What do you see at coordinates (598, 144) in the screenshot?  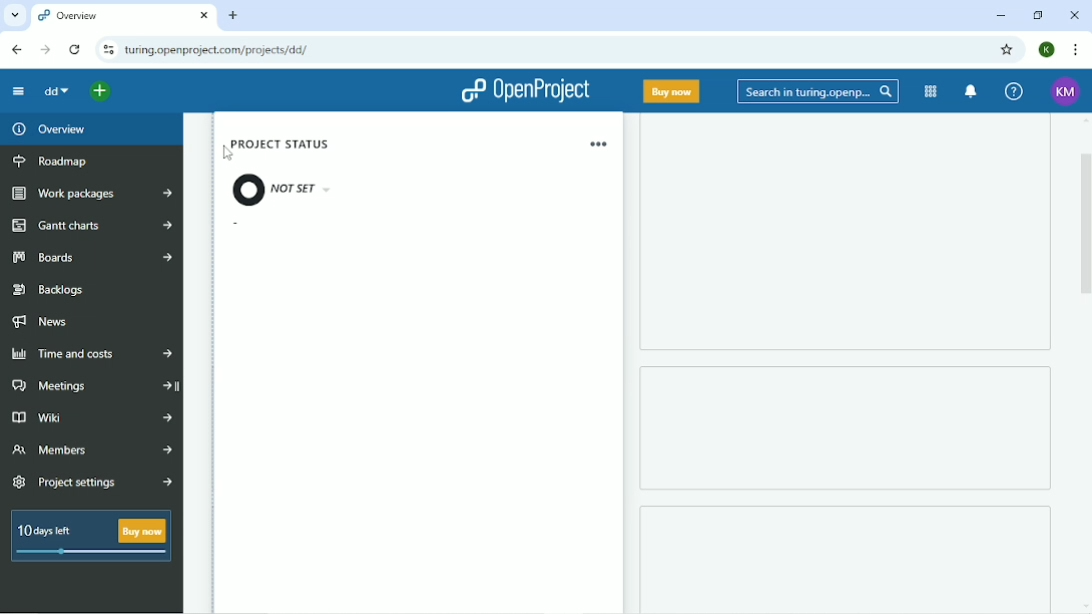 I see `Remove widget` at bounding box center [598, 144].